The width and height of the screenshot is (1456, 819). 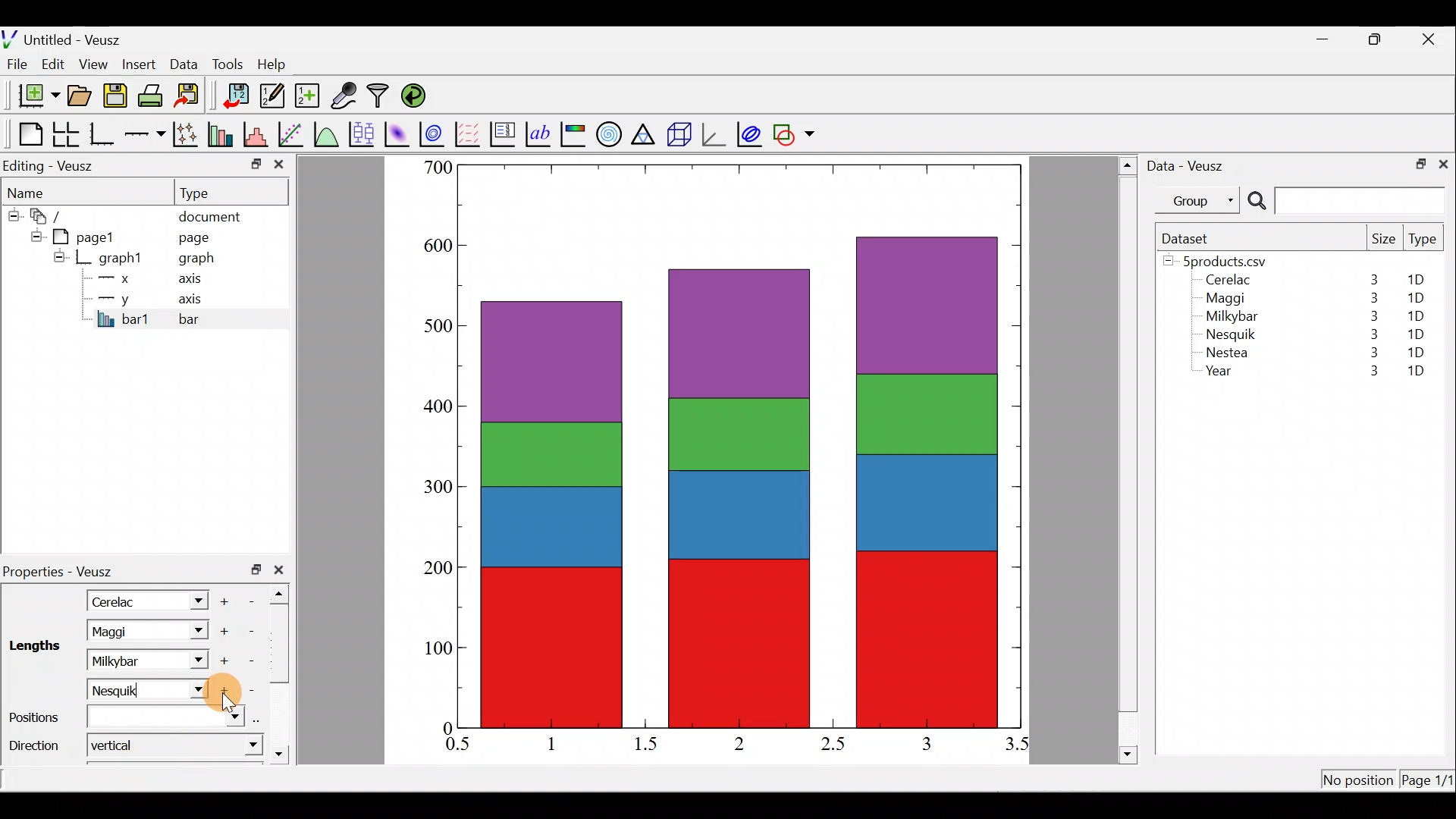 What do you see at coordinates (432, 325) in the screenshot?
I see `500` at bounding box center [432, 325].